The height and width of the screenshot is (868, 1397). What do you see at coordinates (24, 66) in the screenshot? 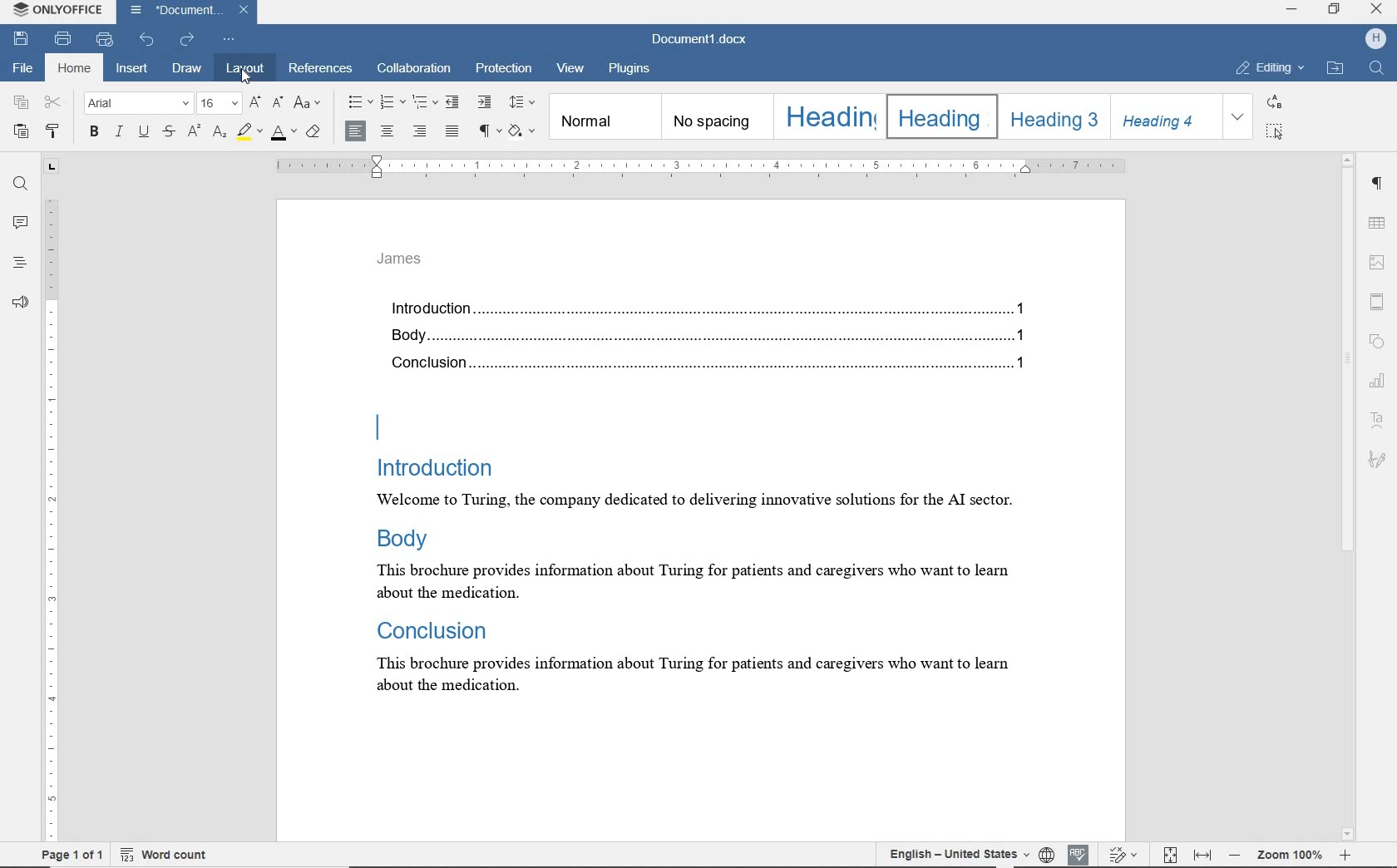
I see `file` at bounding box center [24, 66].